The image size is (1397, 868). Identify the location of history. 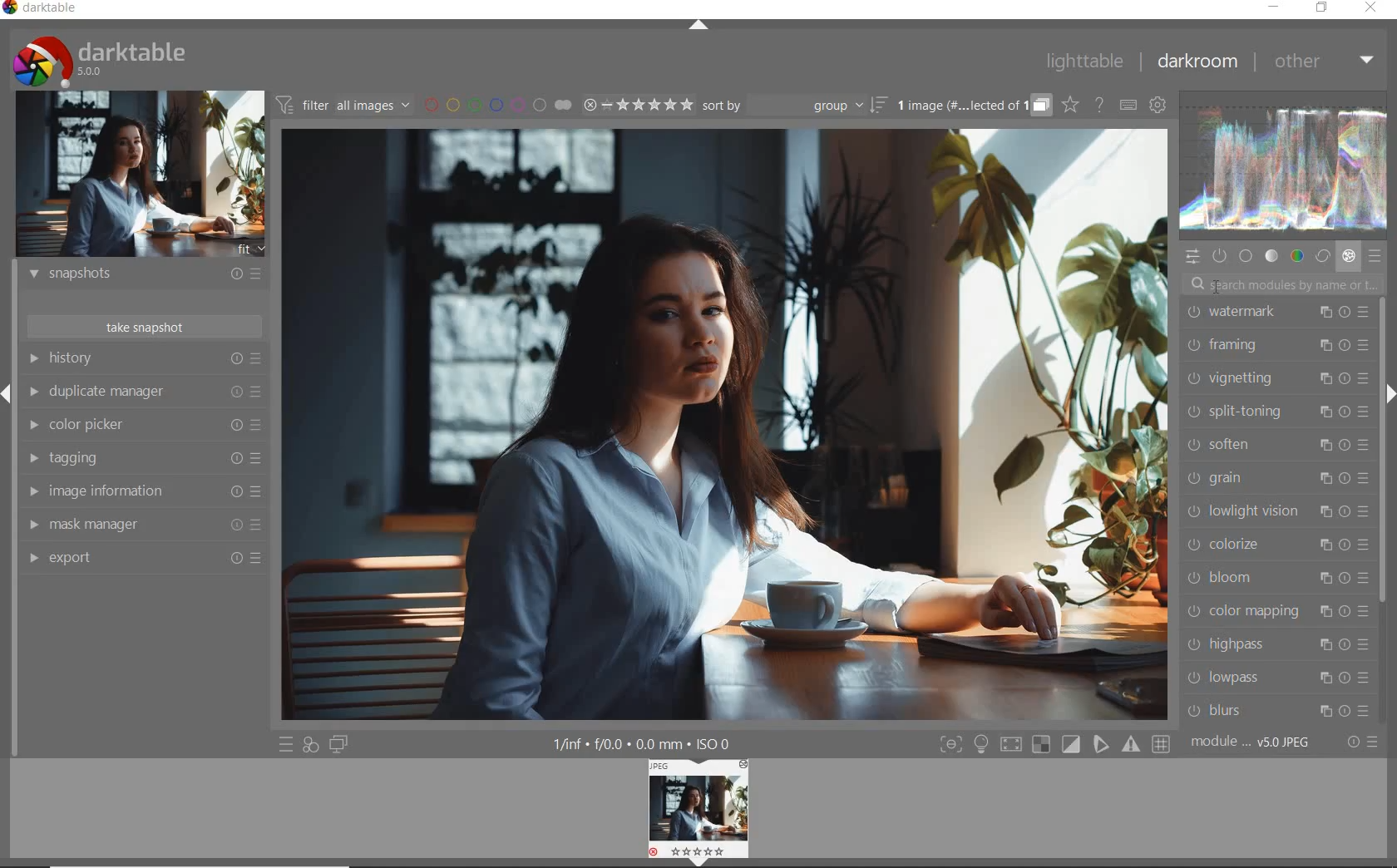
(143, 358).